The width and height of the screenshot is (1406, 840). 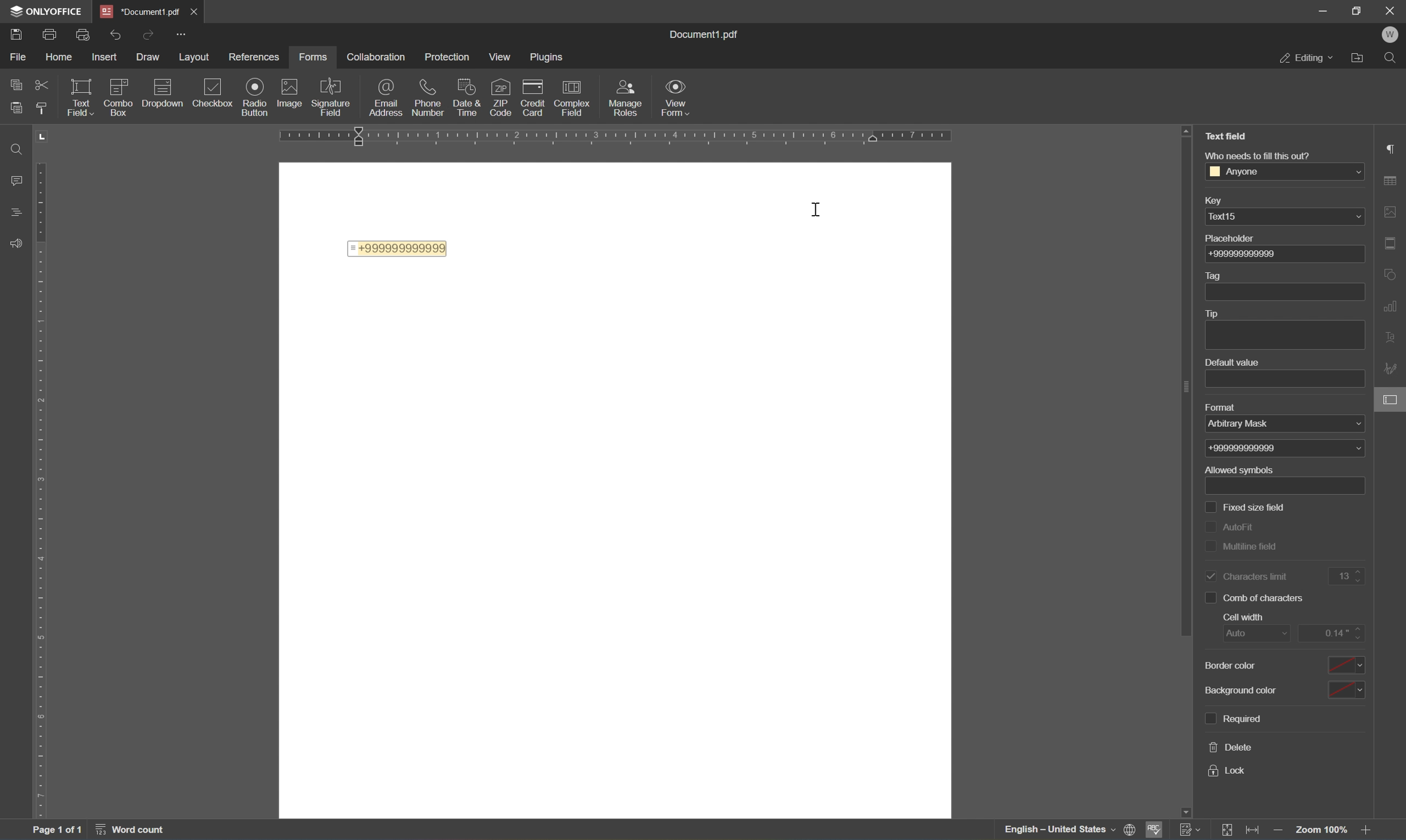 I want to click on find, so click(x=1394, y=59).